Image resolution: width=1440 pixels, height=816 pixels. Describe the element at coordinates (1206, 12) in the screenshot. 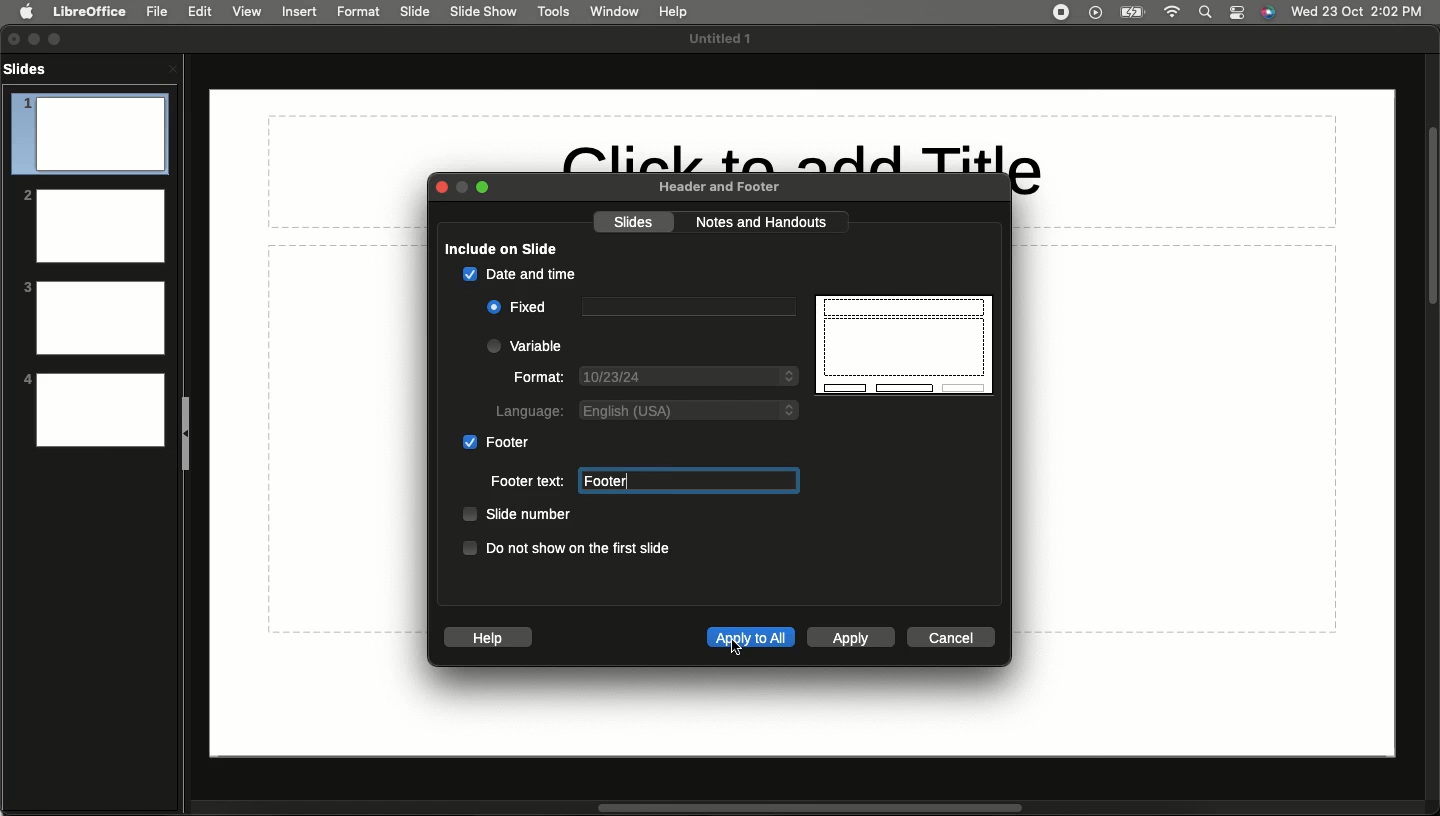

I see `Search` at that location.